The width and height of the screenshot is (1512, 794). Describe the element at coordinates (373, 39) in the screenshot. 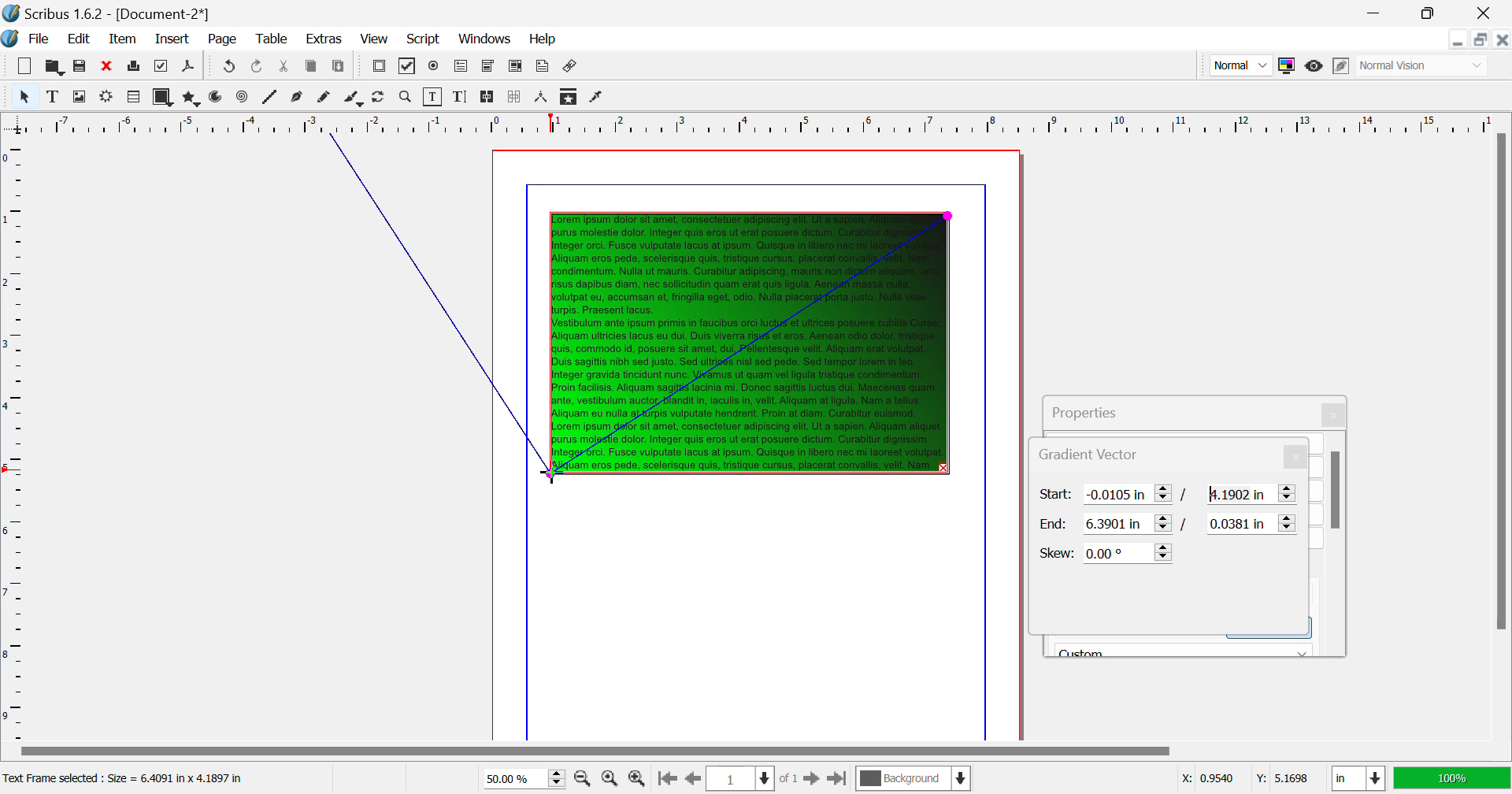

I see `View` at that location.